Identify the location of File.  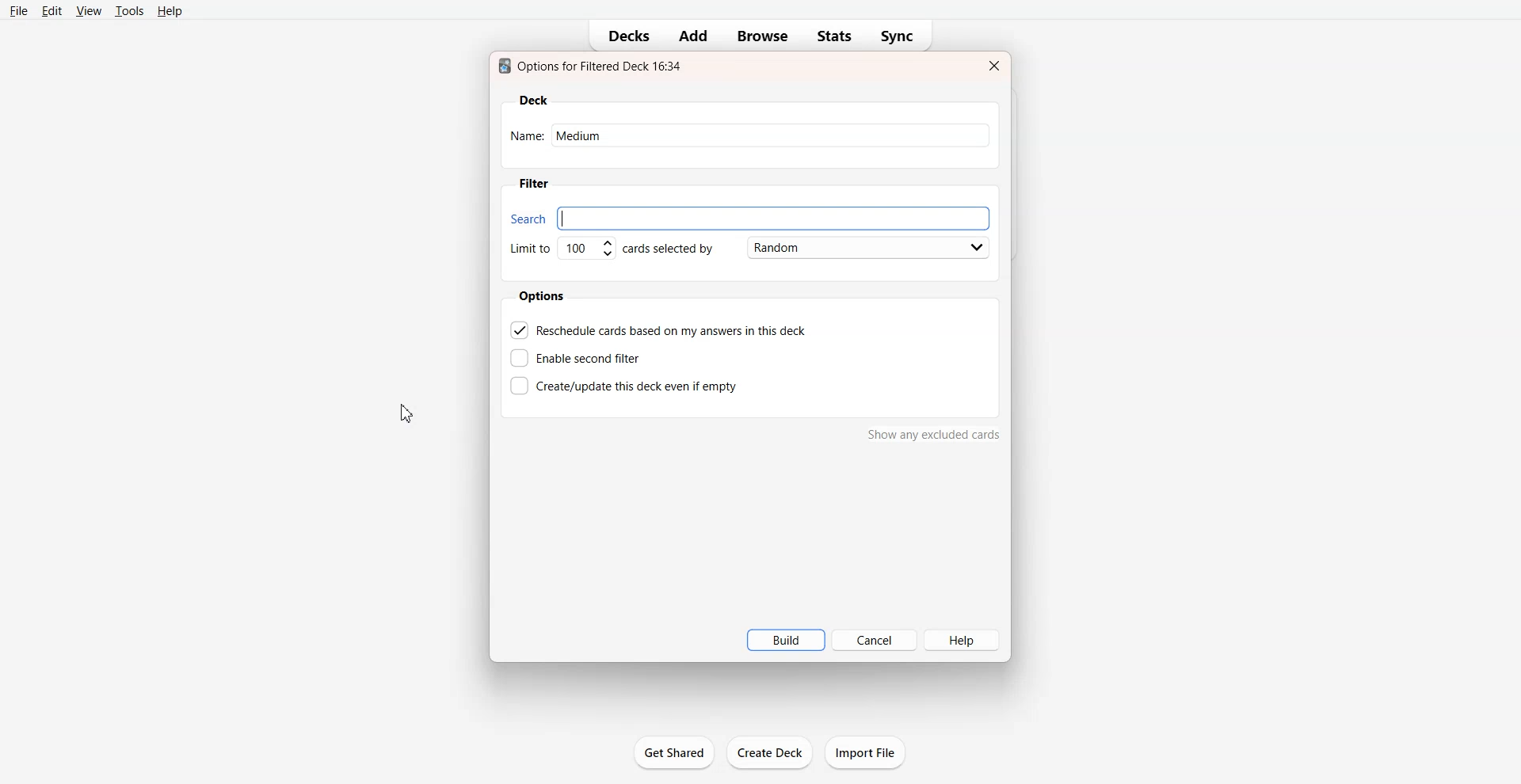
(19, 10).